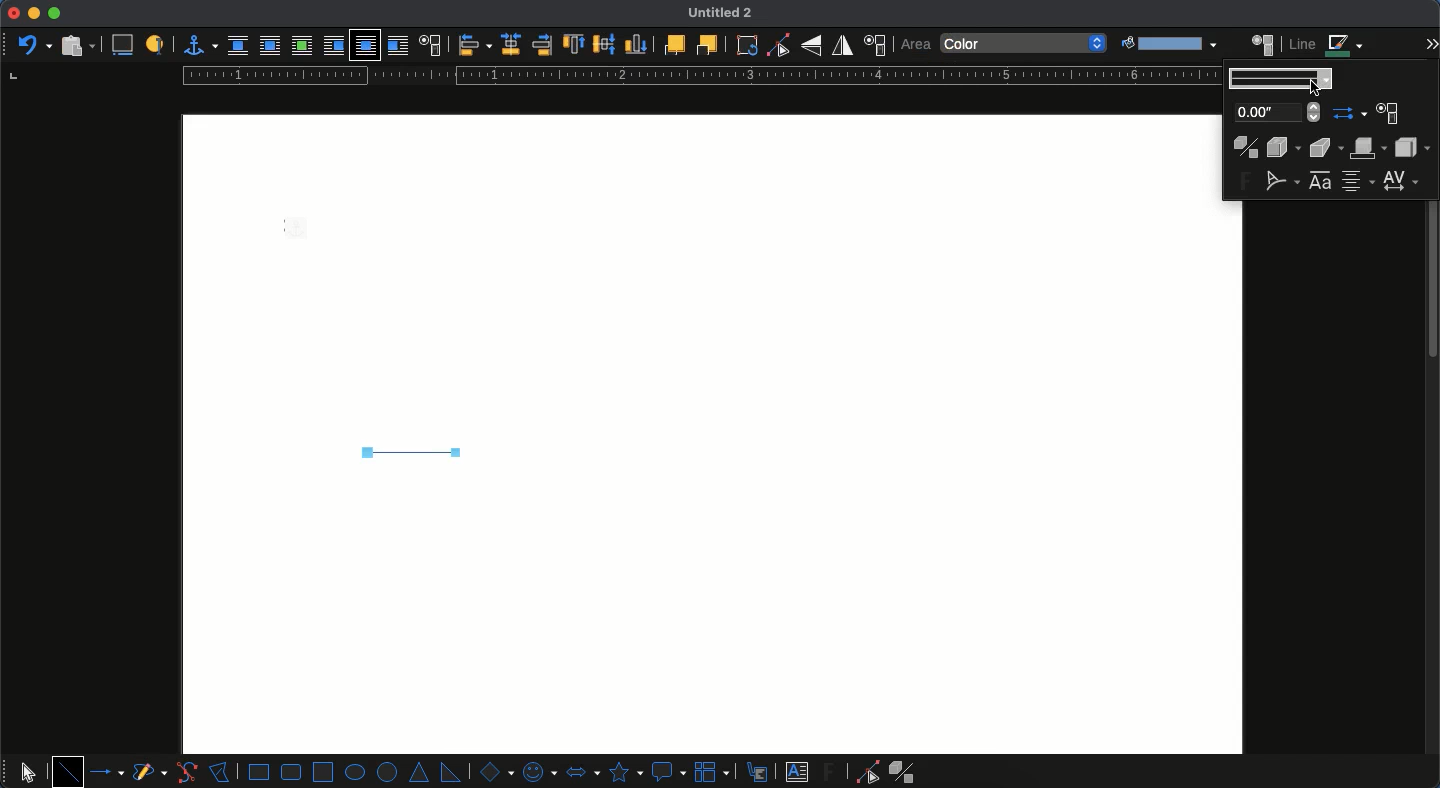  Describe the element at coordinates (714, 771) in the screenshot. I see `flowchart` at that location.